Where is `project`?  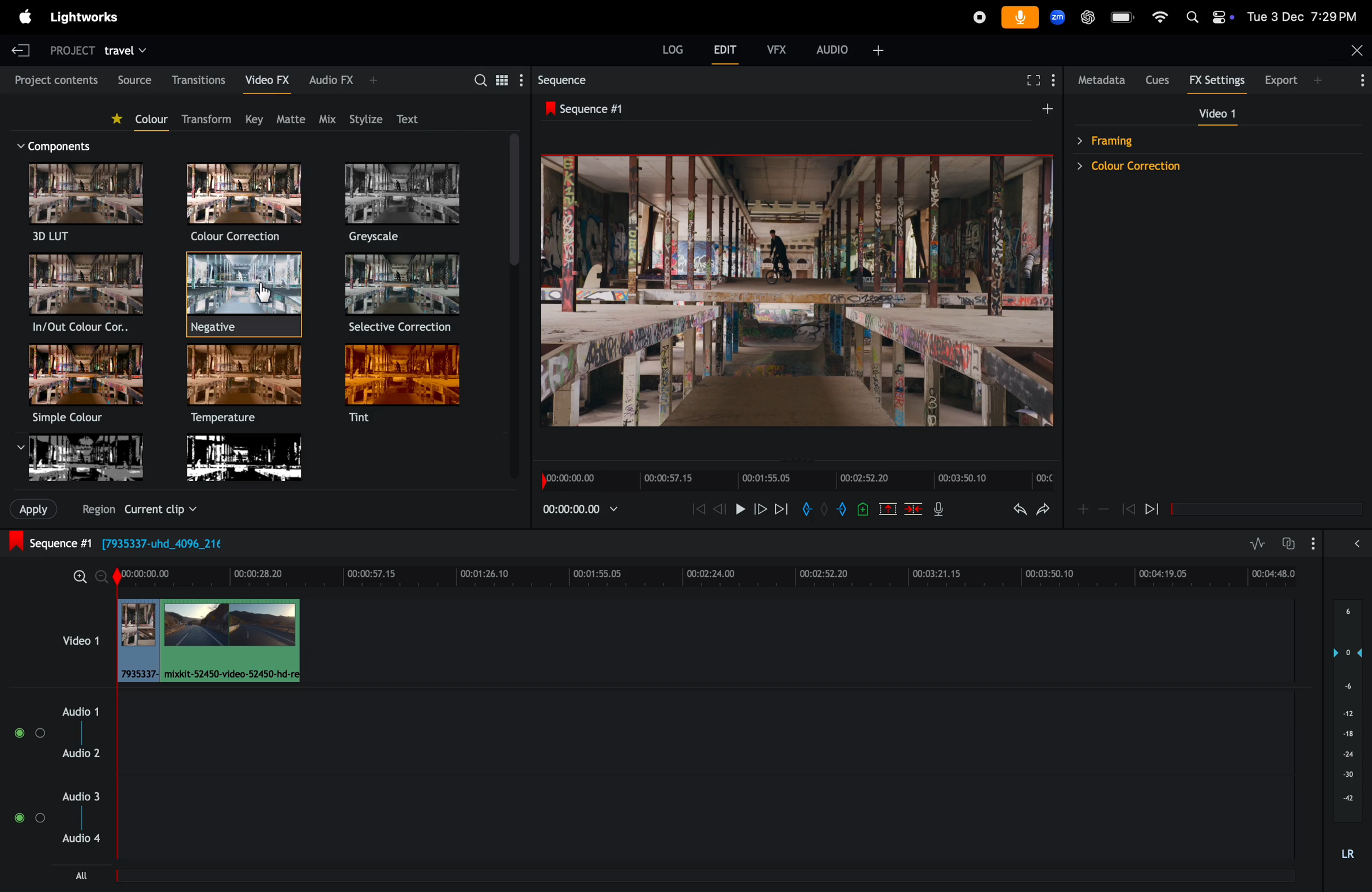 project is located at coordinates (71, 50).